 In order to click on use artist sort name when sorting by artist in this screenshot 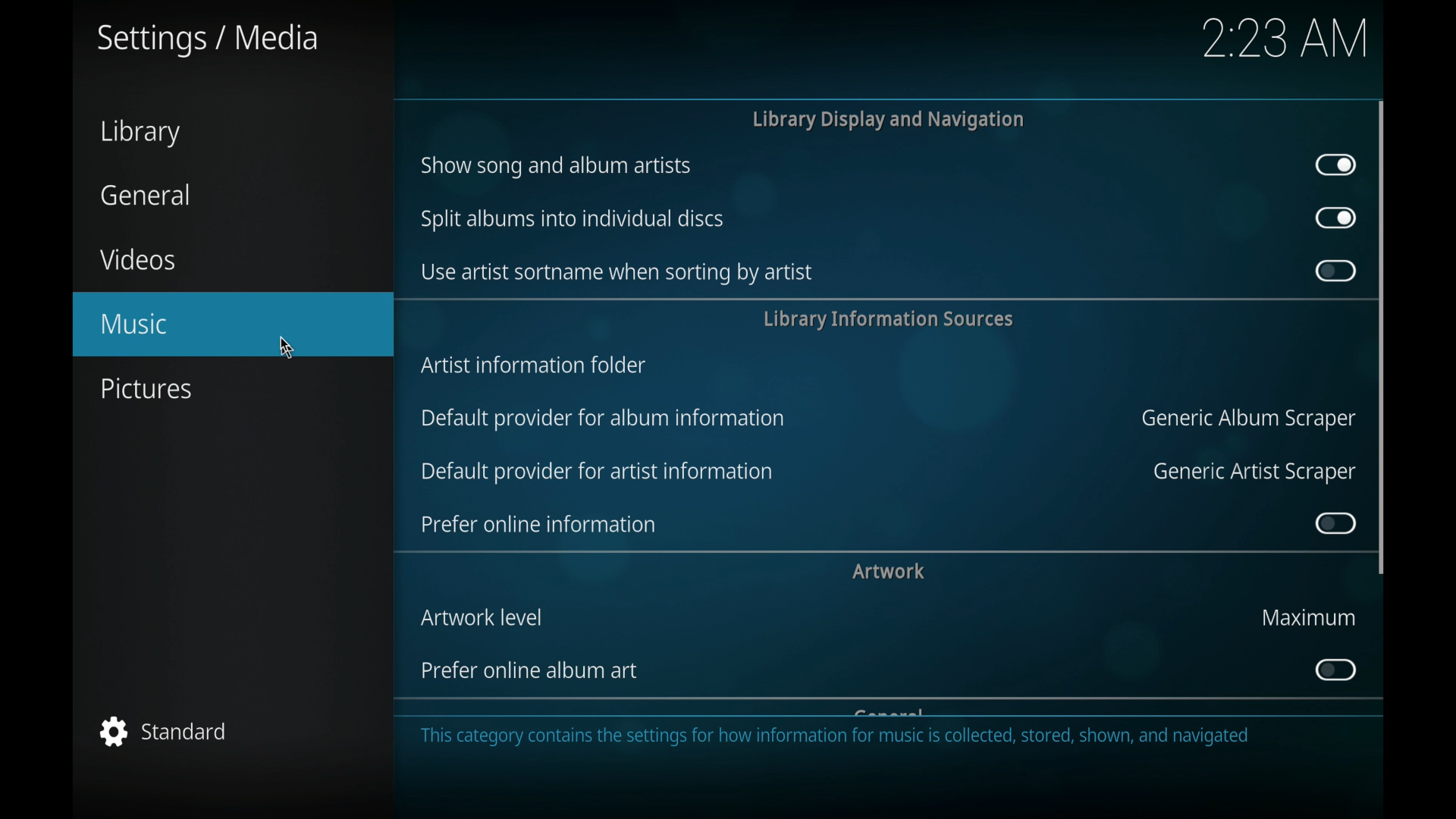, I will do `click(616, 273)`.